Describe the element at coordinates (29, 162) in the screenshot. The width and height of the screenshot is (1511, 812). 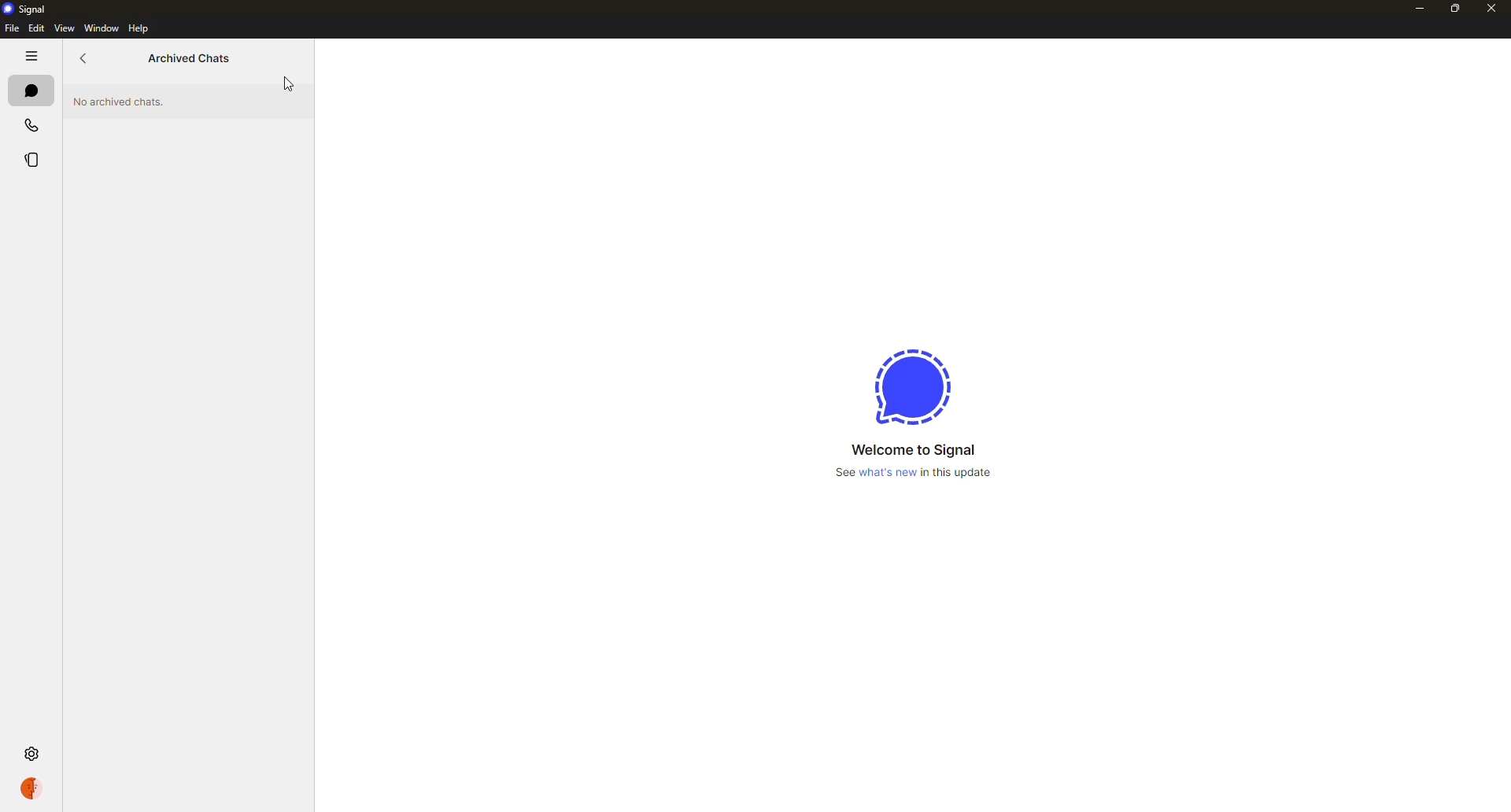
I see `stories` at that location.